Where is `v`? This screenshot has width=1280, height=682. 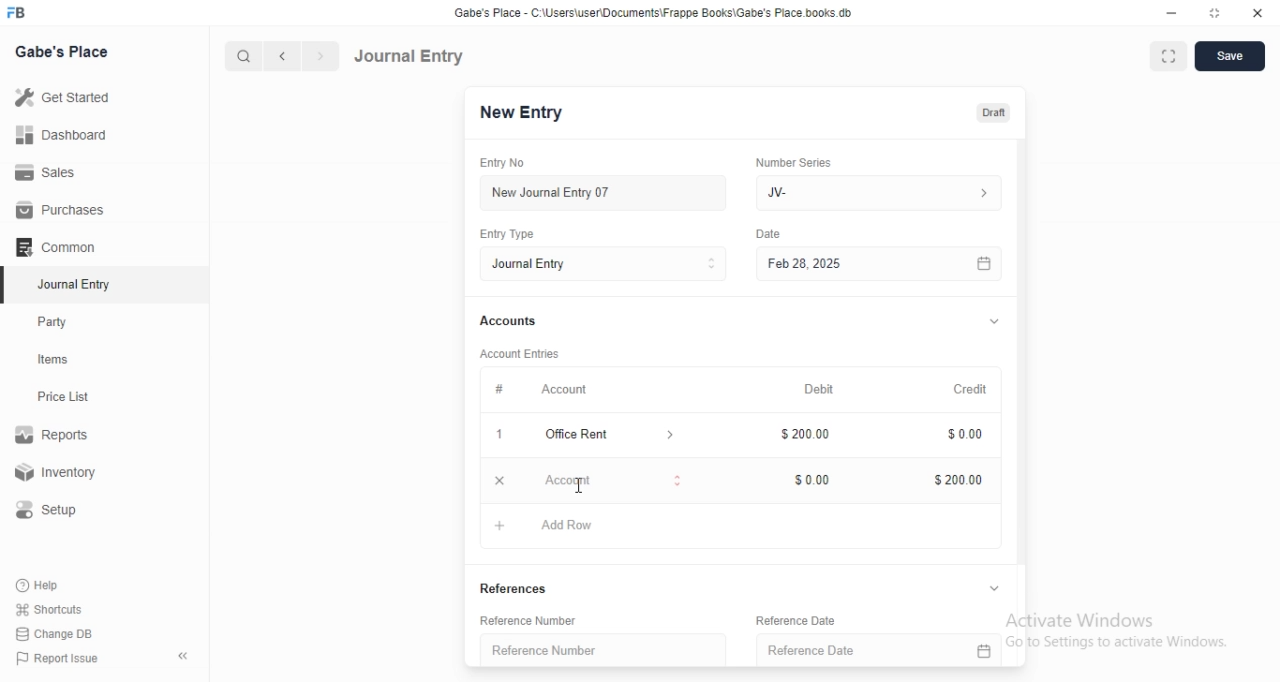
v is located at coordinates (998, 586).